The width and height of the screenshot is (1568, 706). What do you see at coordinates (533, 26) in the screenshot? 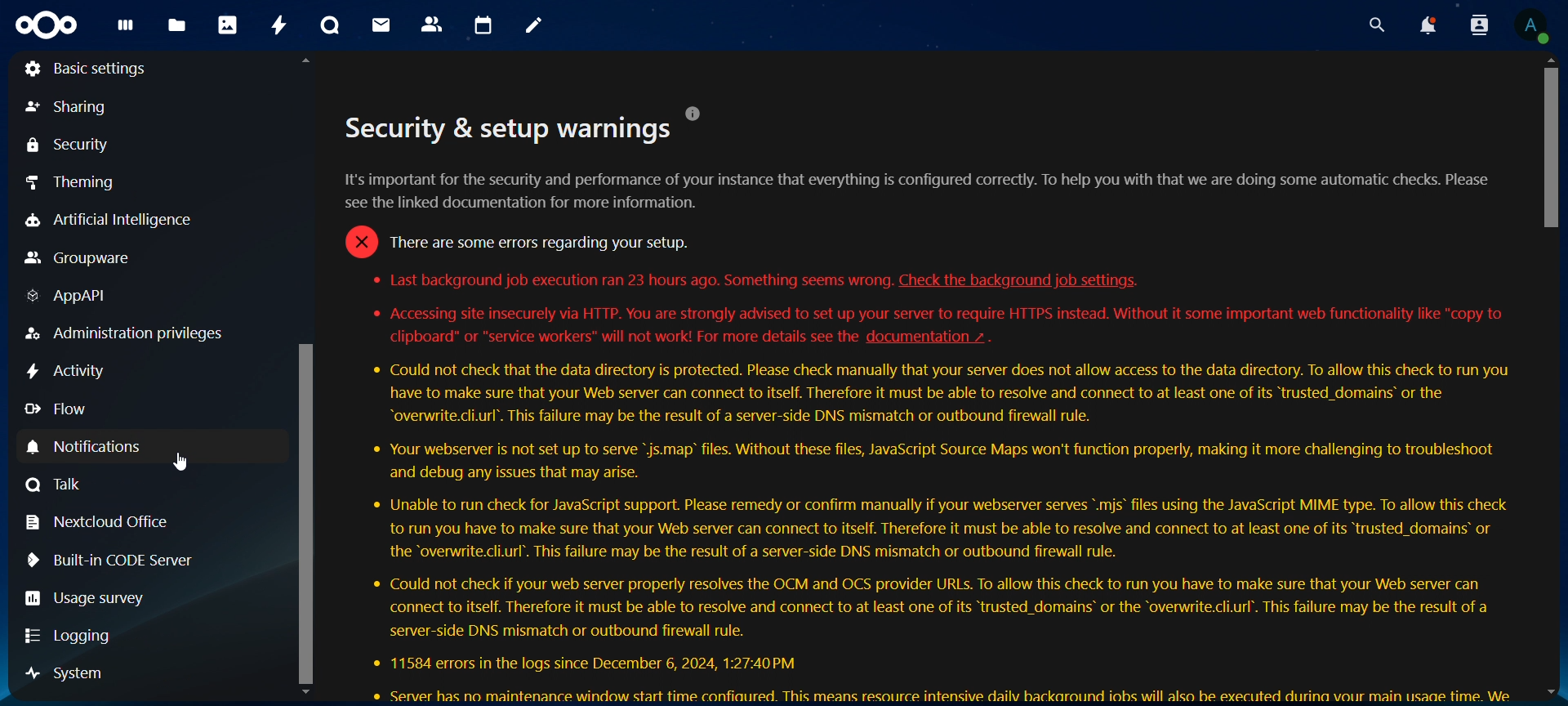
I see `notes` at bounding box center [533, 26].